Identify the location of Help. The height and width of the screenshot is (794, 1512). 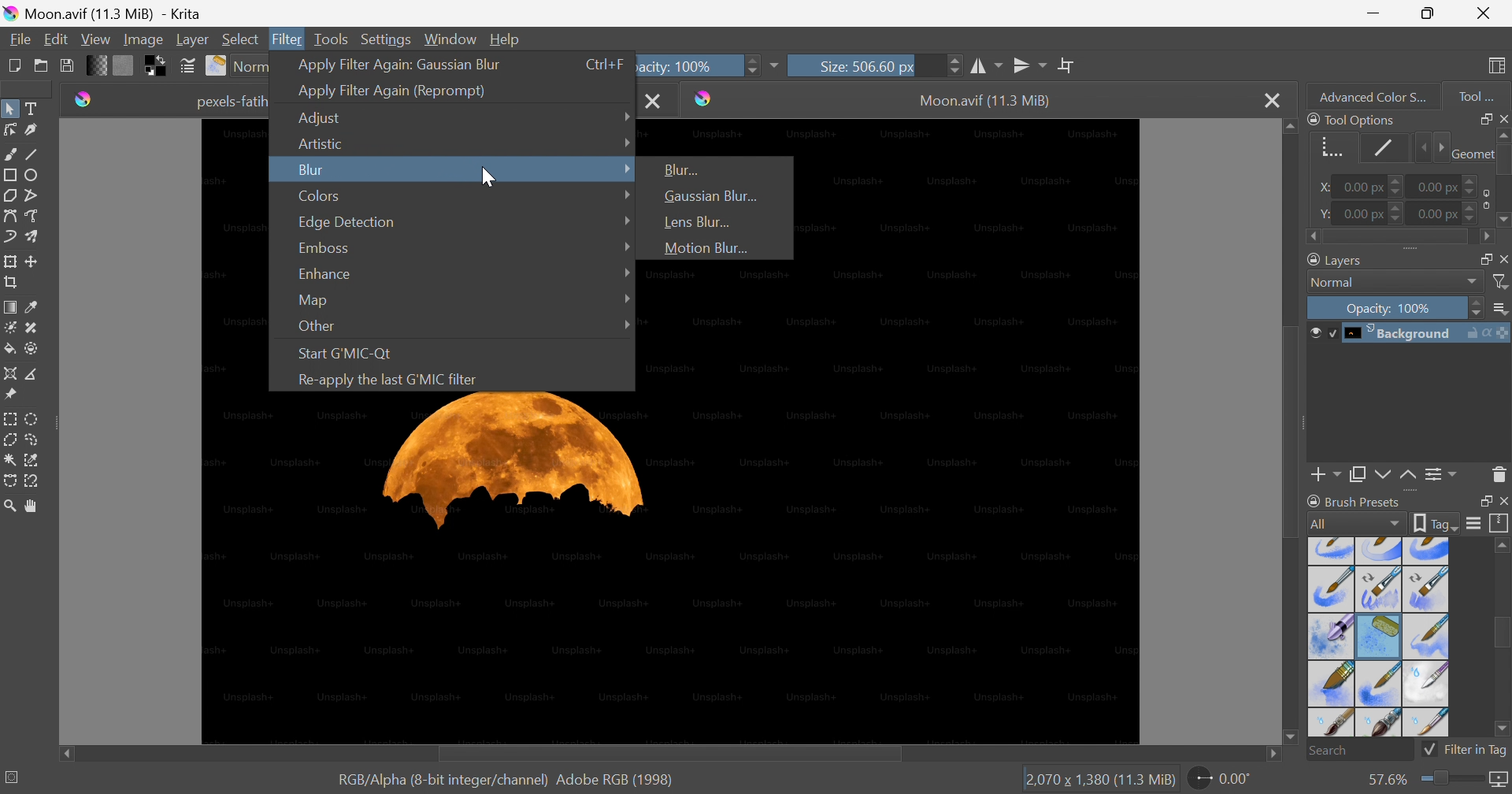
(504, 40).